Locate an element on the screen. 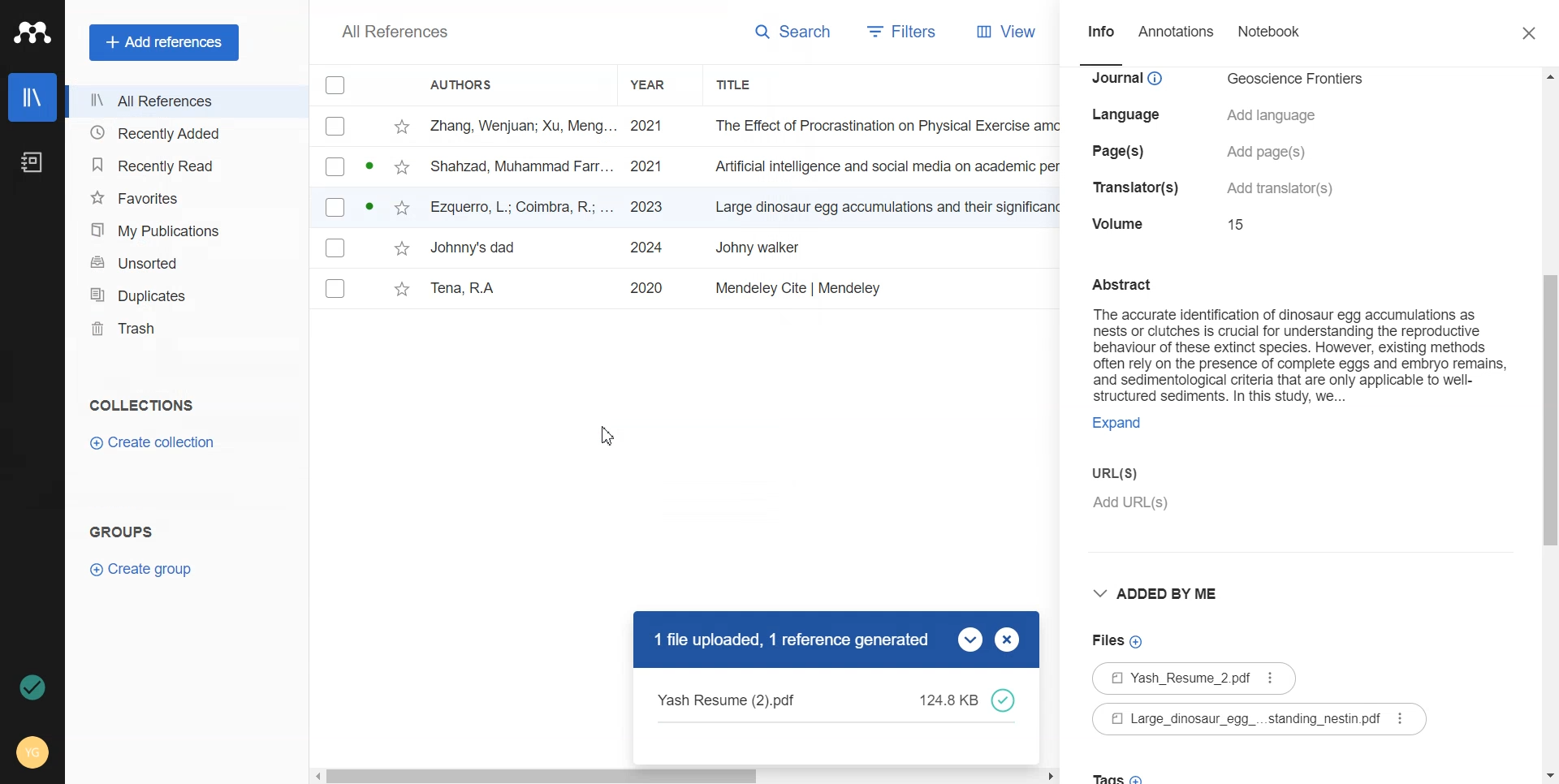  Close is located at coordinates (1008, 640).